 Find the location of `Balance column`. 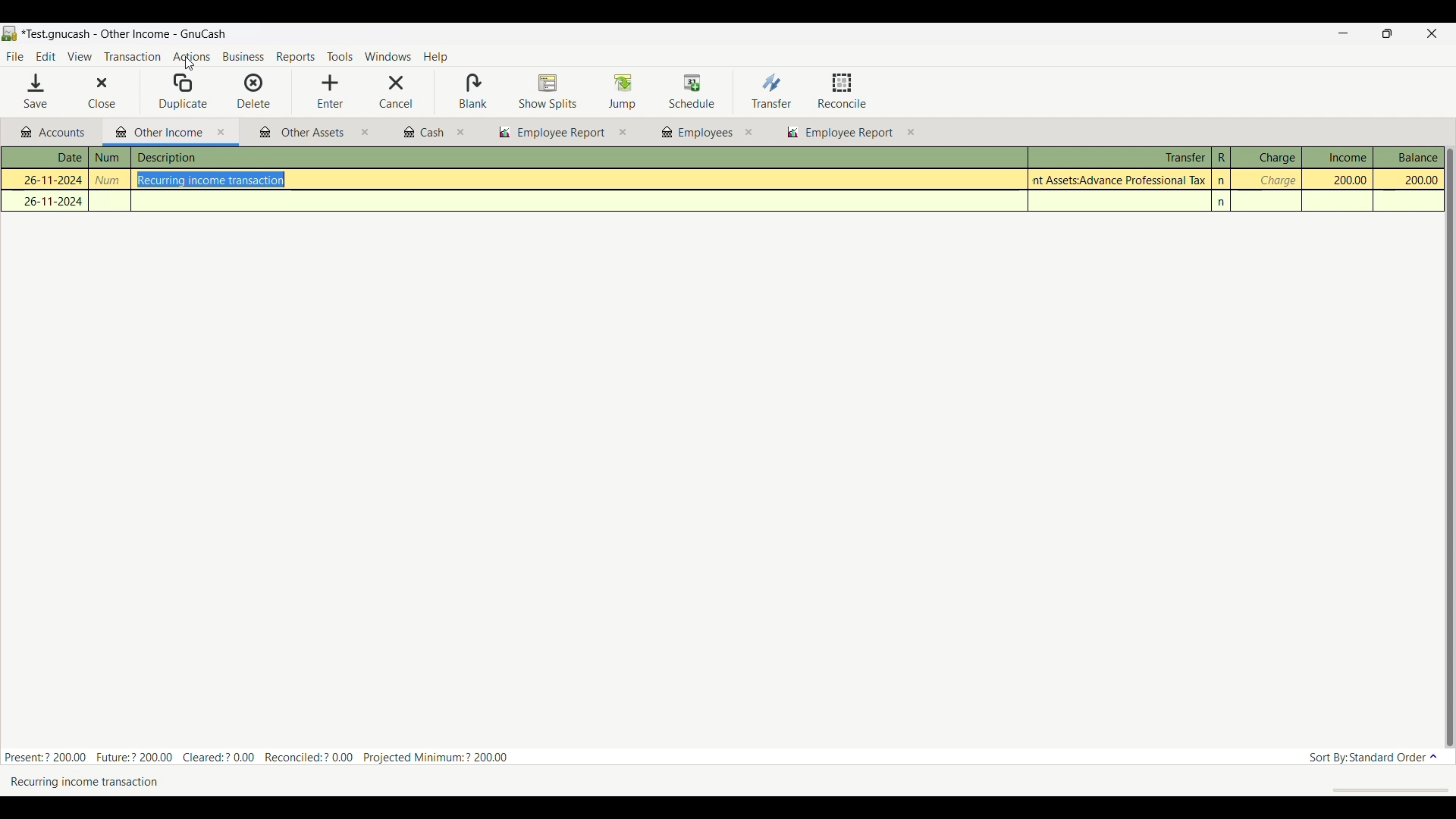

Balance column is located at coordinates (1409, 157).